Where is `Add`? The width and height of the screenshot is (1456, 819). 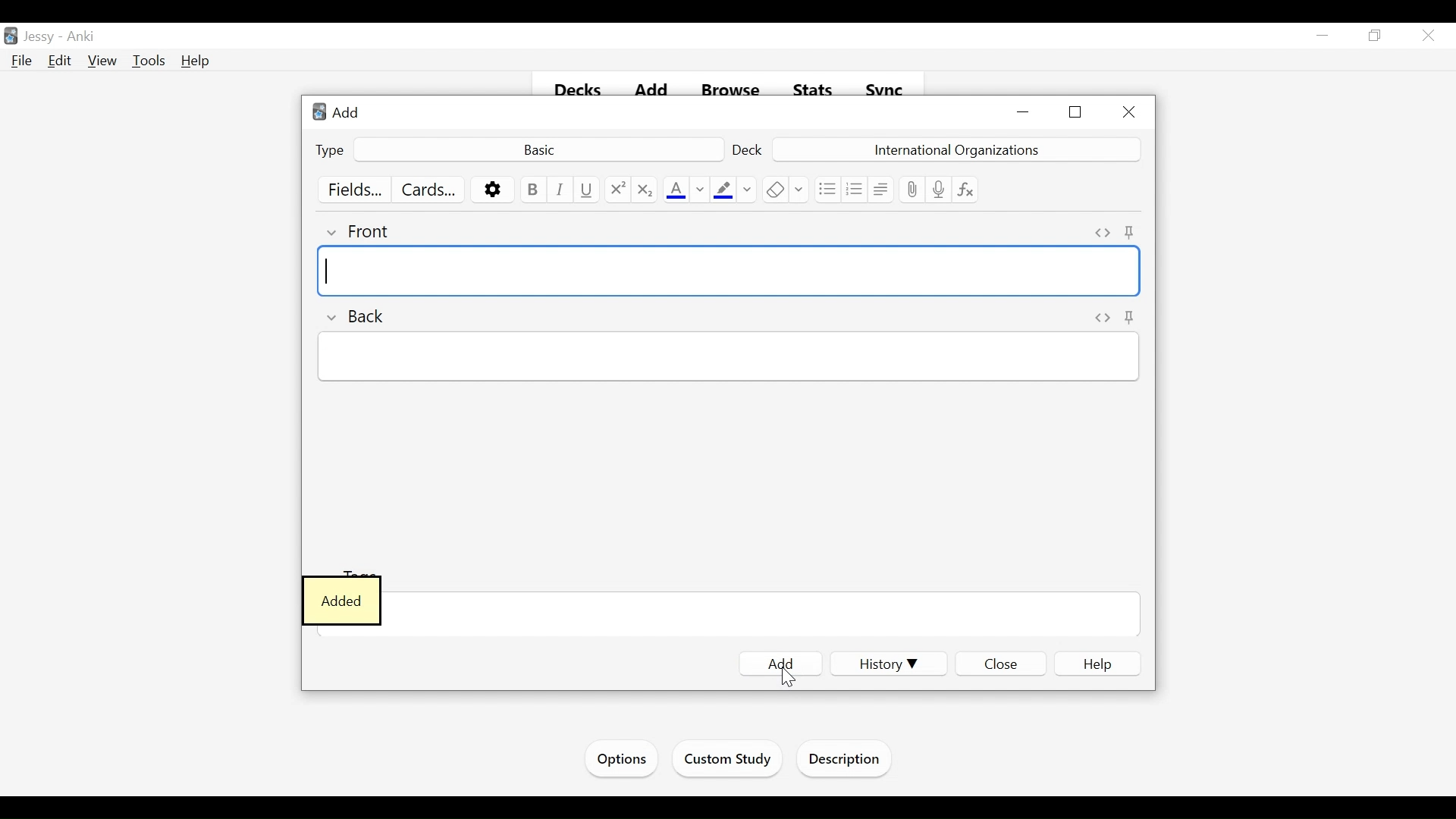 Add is located at coordinates (347, 113).